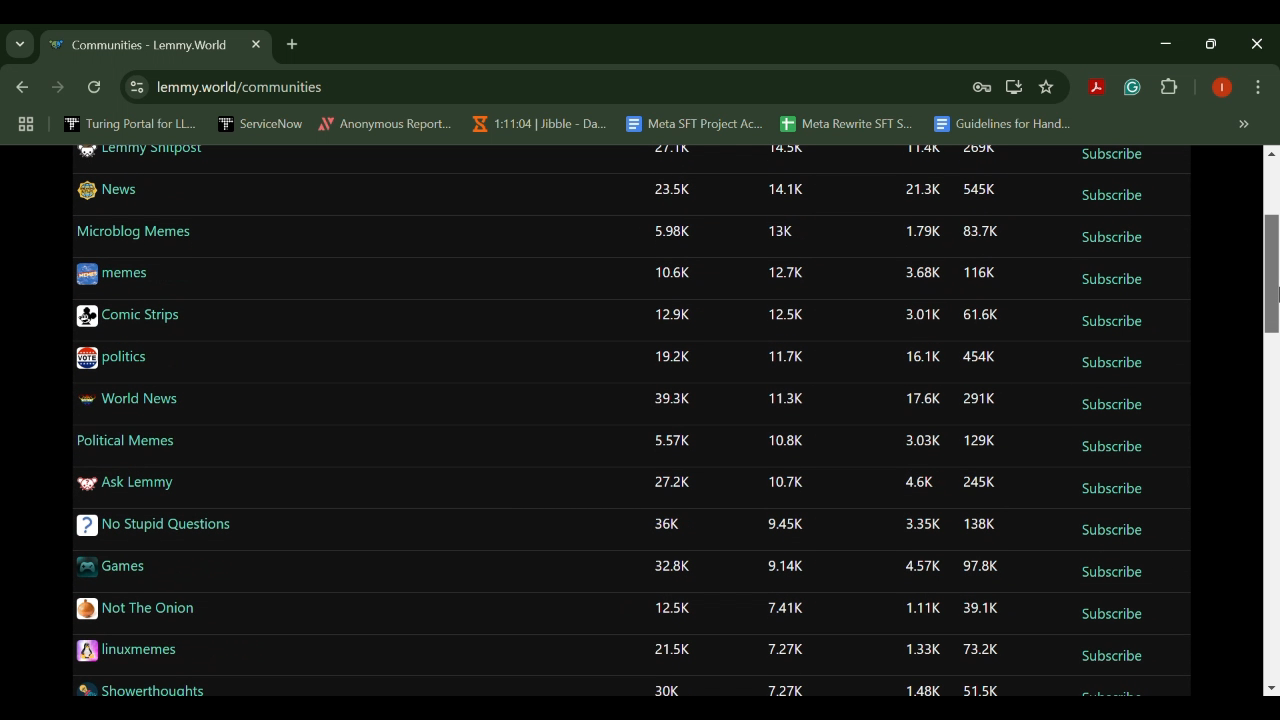 The image size is (1280, 720). I want to click on Meta SFT Project Ac..., so click(693, 125).